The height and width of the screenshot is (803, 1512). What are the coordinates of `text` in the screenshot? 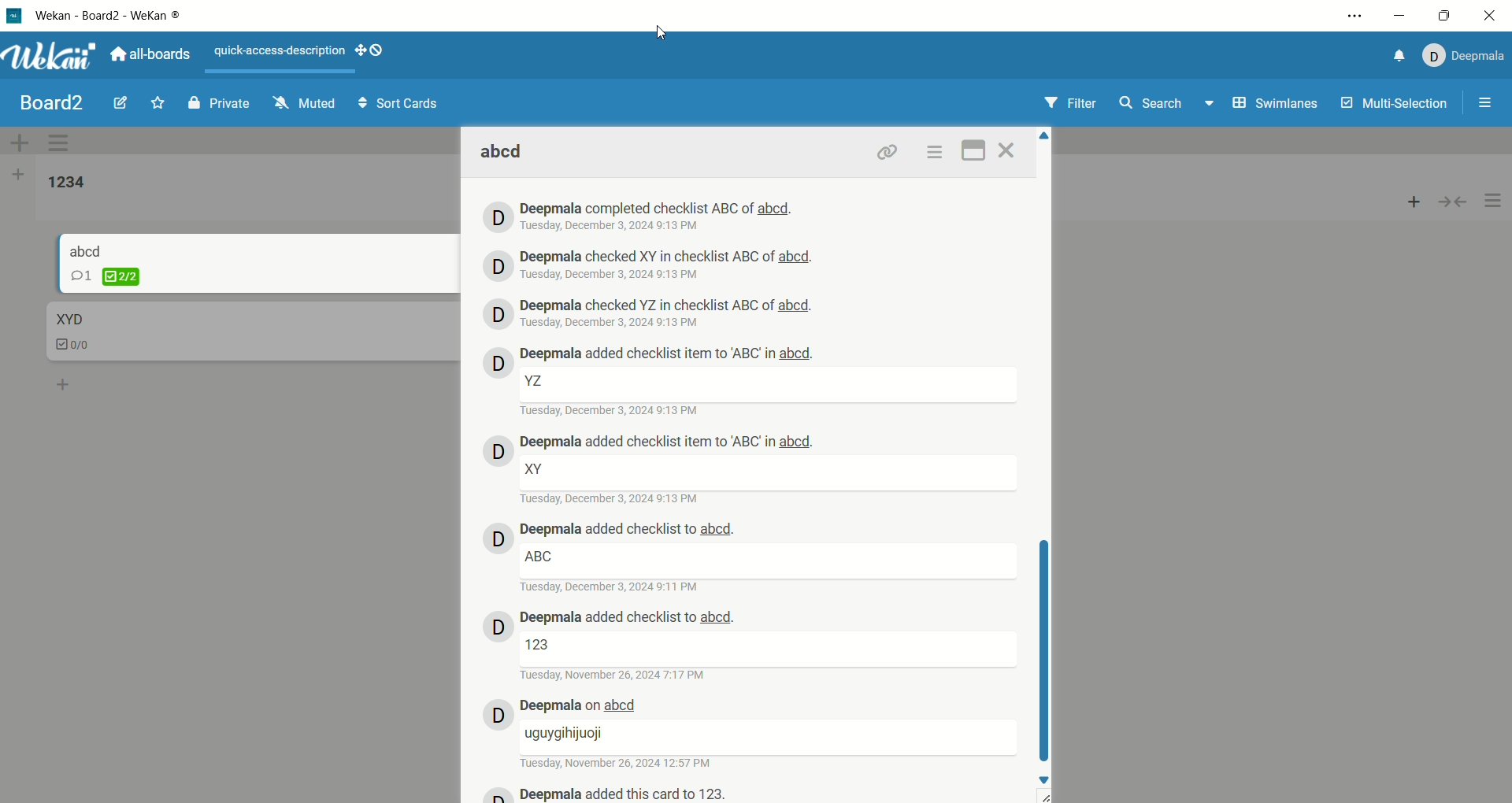 It's located at (535, 382).